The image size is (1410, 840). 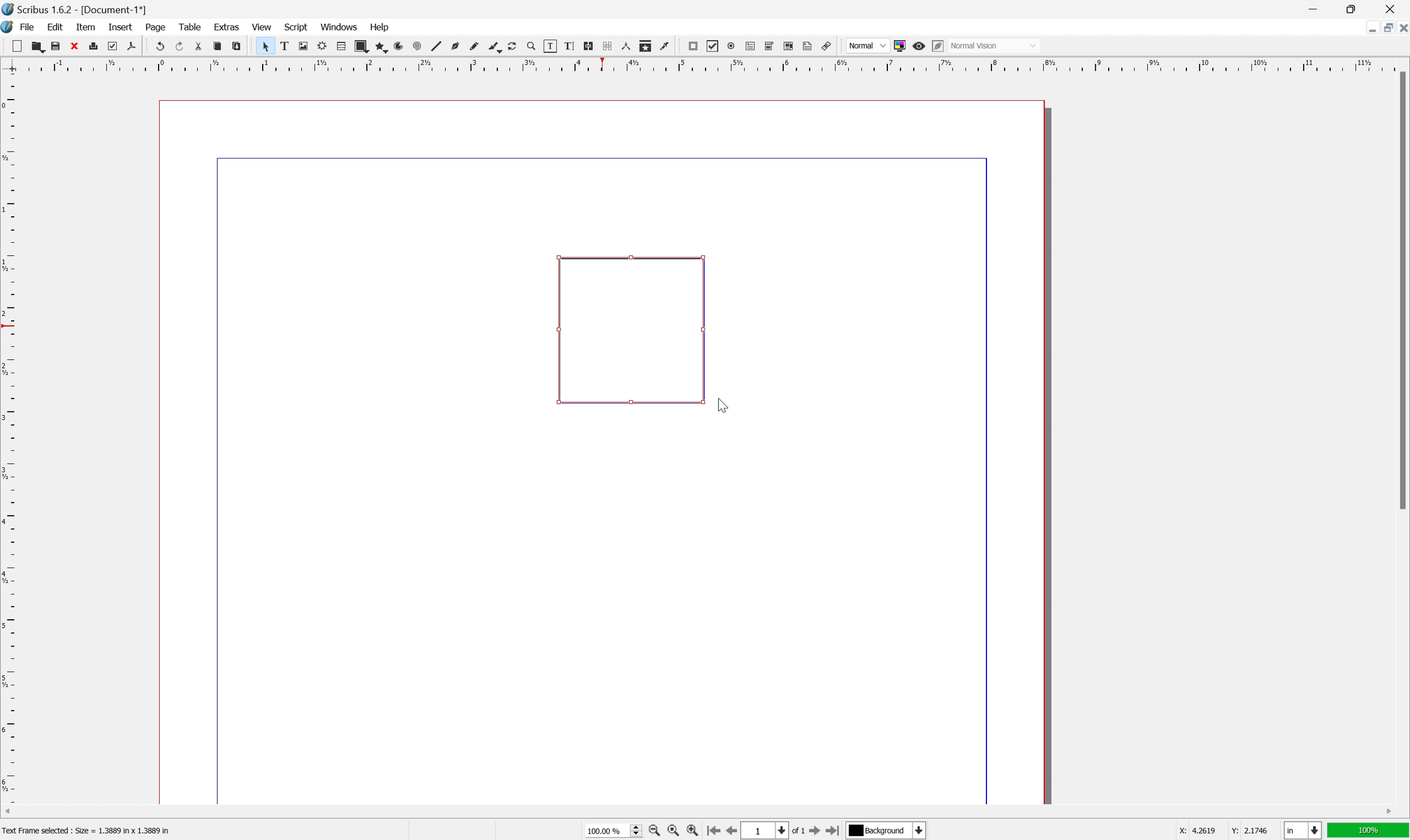 I want to click on polygon, so click(x=380, y=46).